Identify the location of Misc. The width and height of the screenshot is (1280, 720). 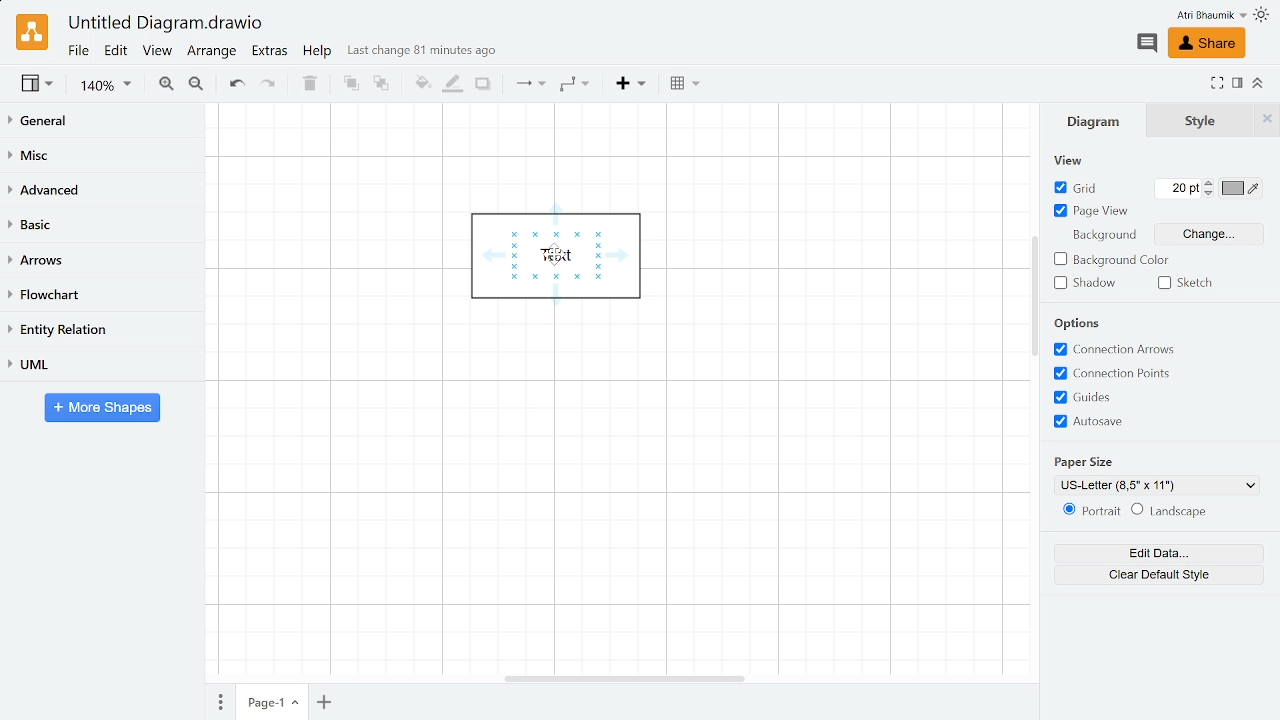
(103, 158).